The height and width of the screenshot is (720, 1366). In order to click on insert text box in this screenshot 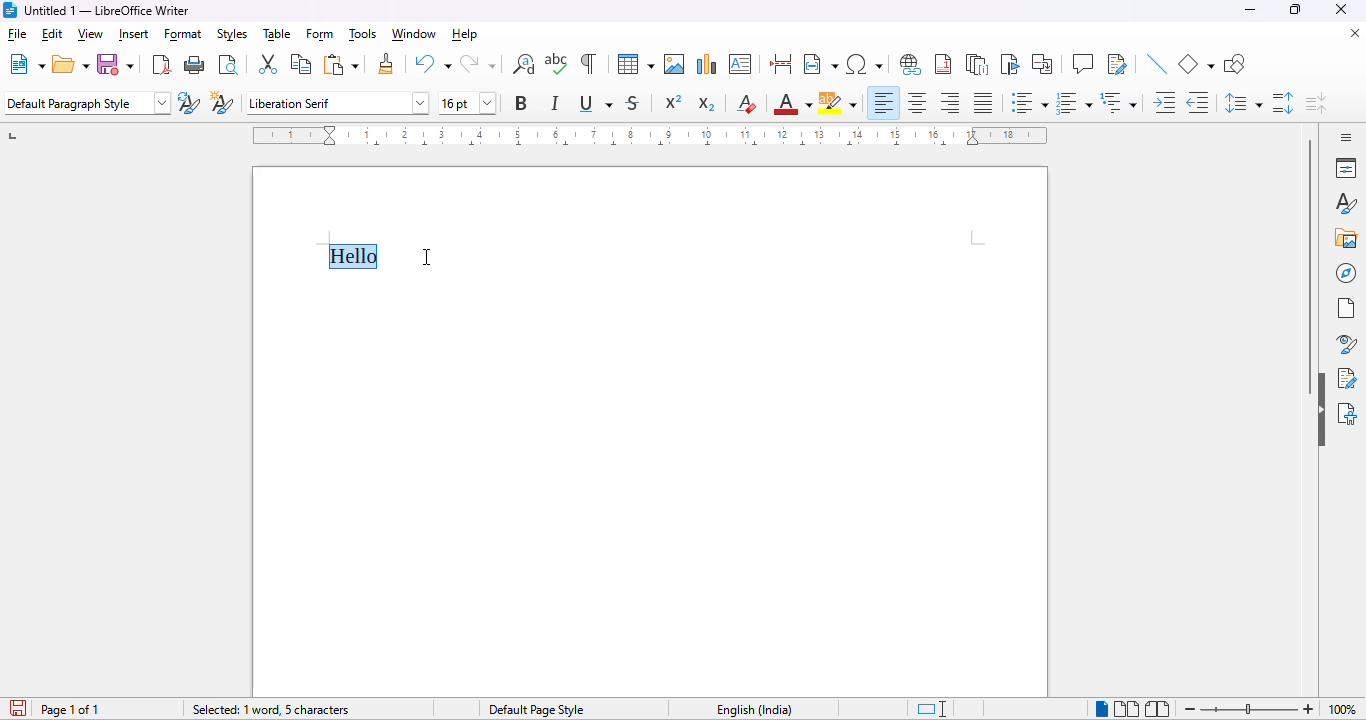, I will do `click(741, 64)`.